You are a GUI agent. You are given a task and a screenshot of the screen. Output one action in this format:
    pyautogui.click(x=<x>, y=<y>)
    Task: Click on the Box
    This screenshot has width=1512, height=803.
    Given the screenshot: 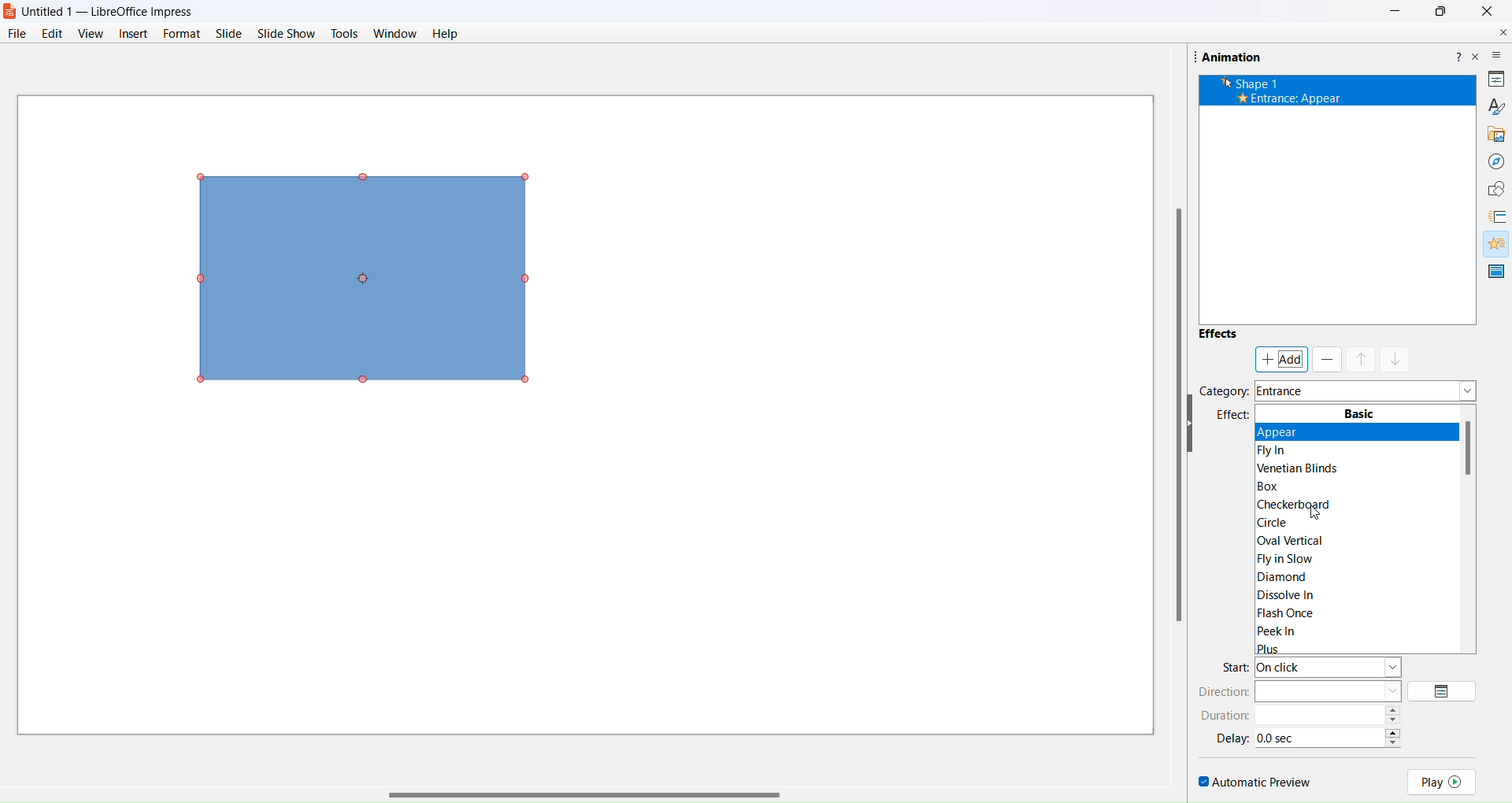 What is the action you would take?
    pyautogui.click(x=1275, y=485)
    